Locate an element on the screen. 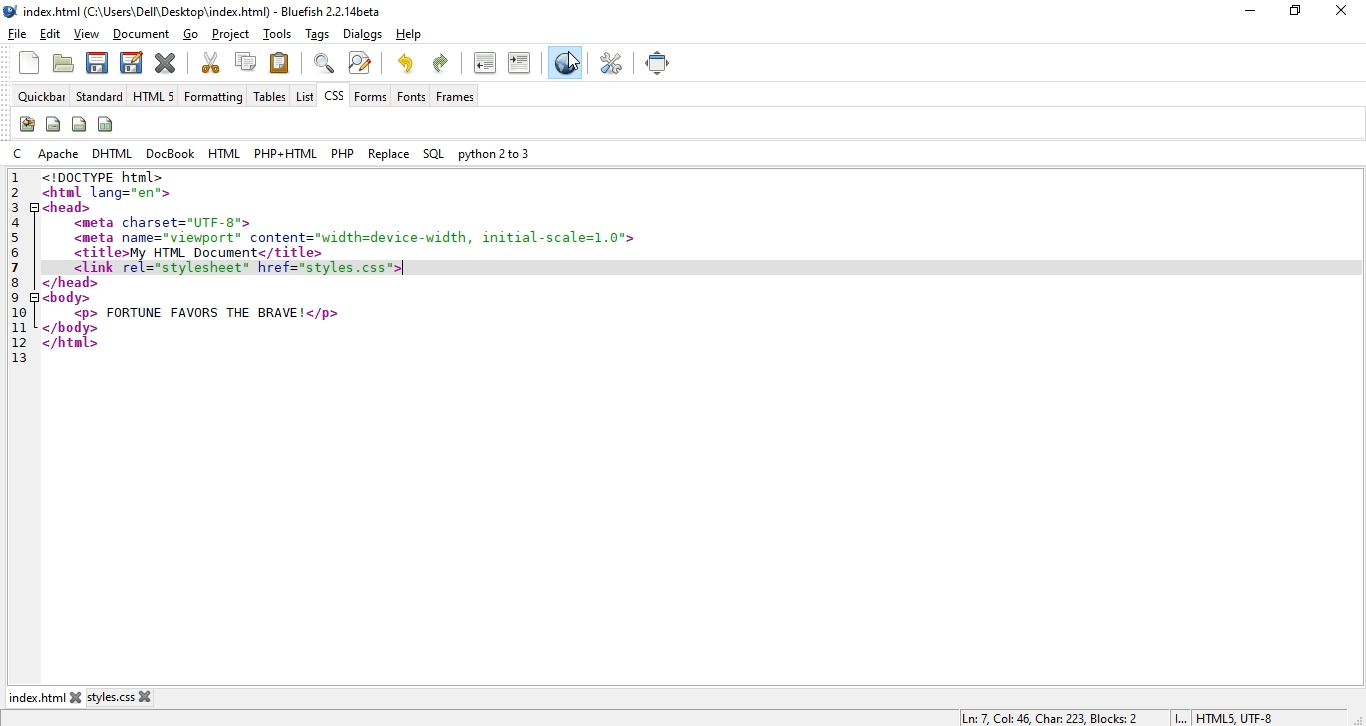 The image size is (1366, 726). fonts is located at coordinates (411, 96).